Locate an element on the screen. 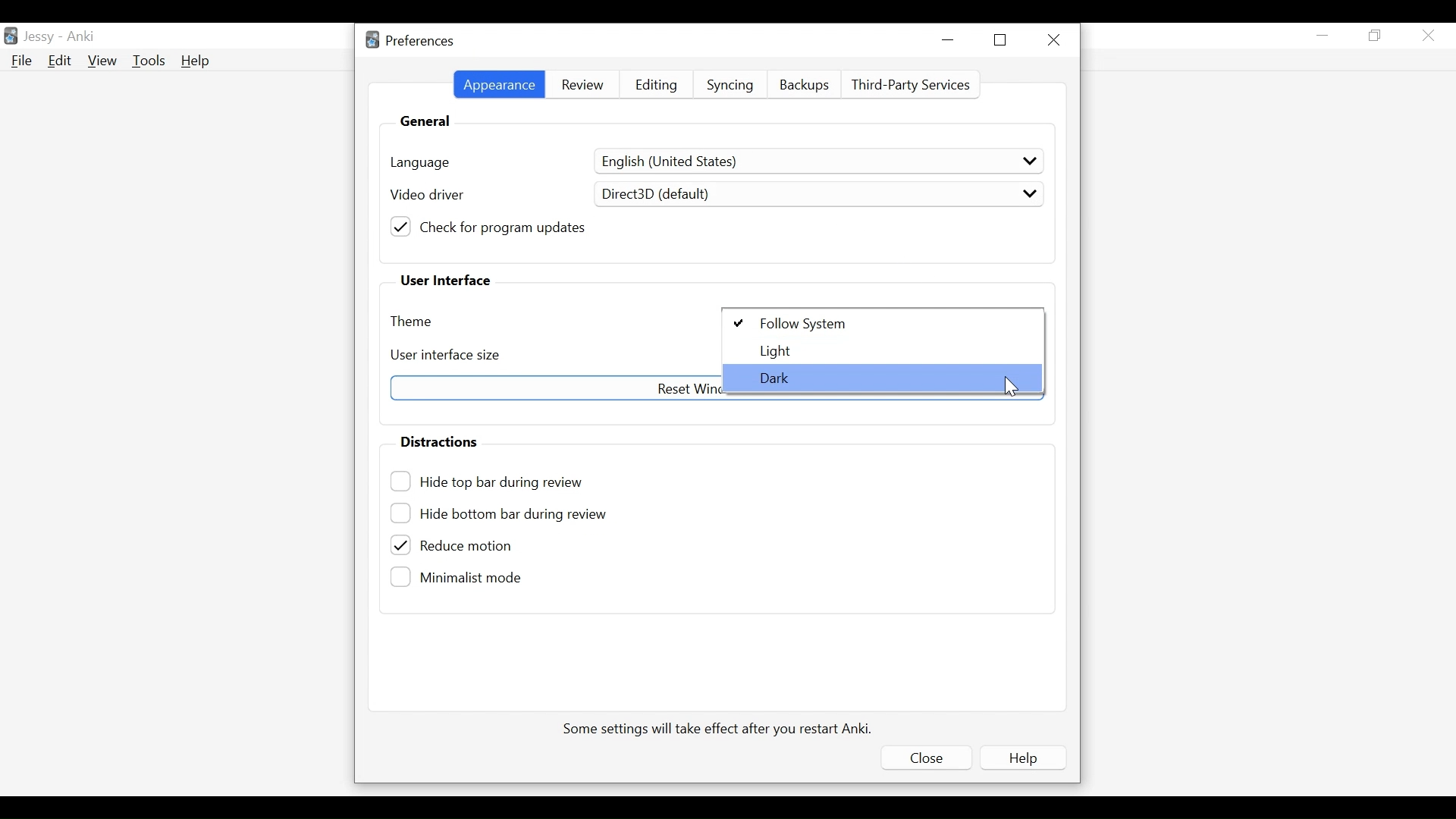 The height and width of the screenshot is (819, 1456). User Interface size is located at coordinates (444, 354).